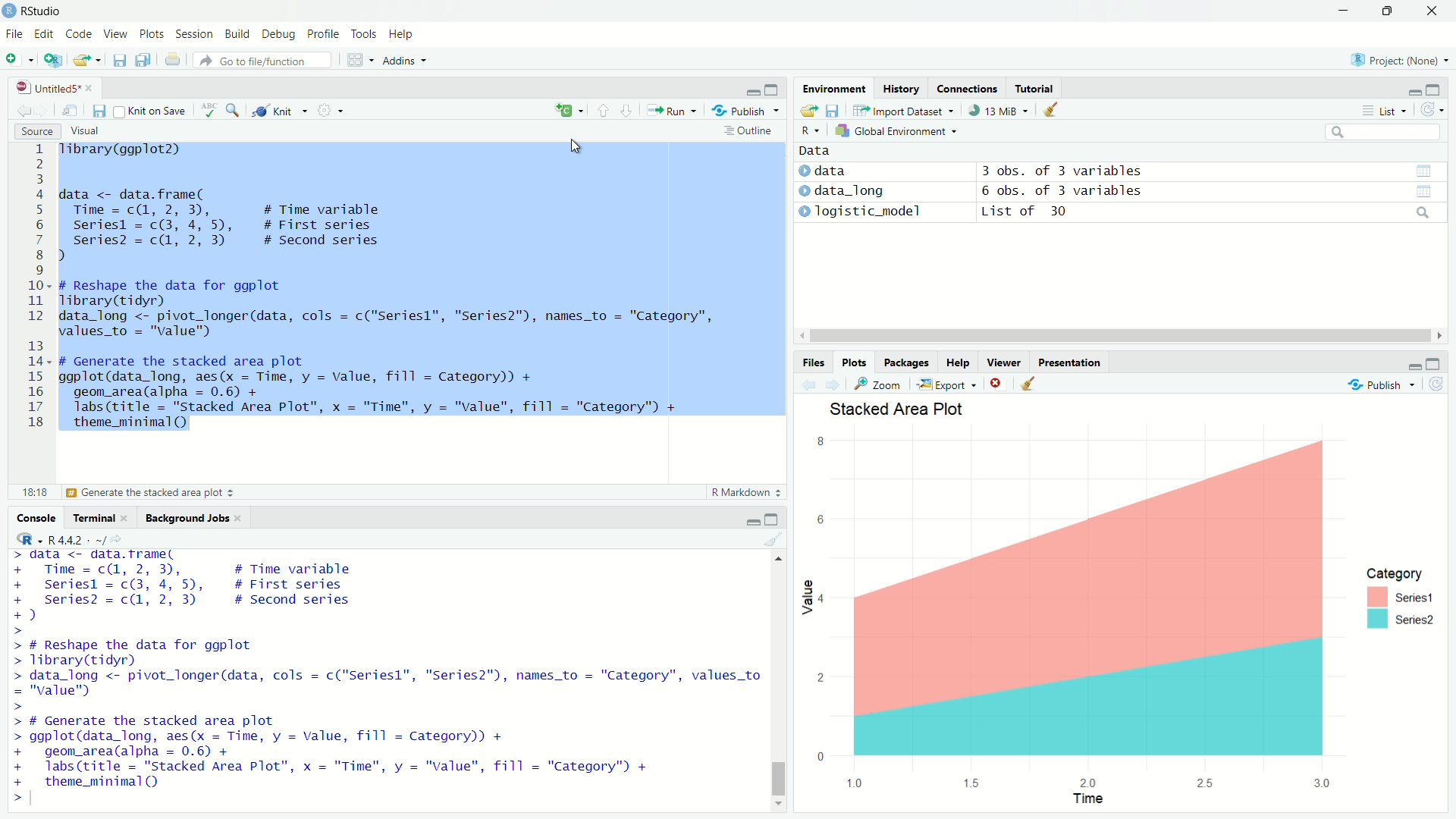 This screenshot has height=819, width=1456. Describe the element at coordinates (861, 111) in the screenshot. I see `move` at that location.